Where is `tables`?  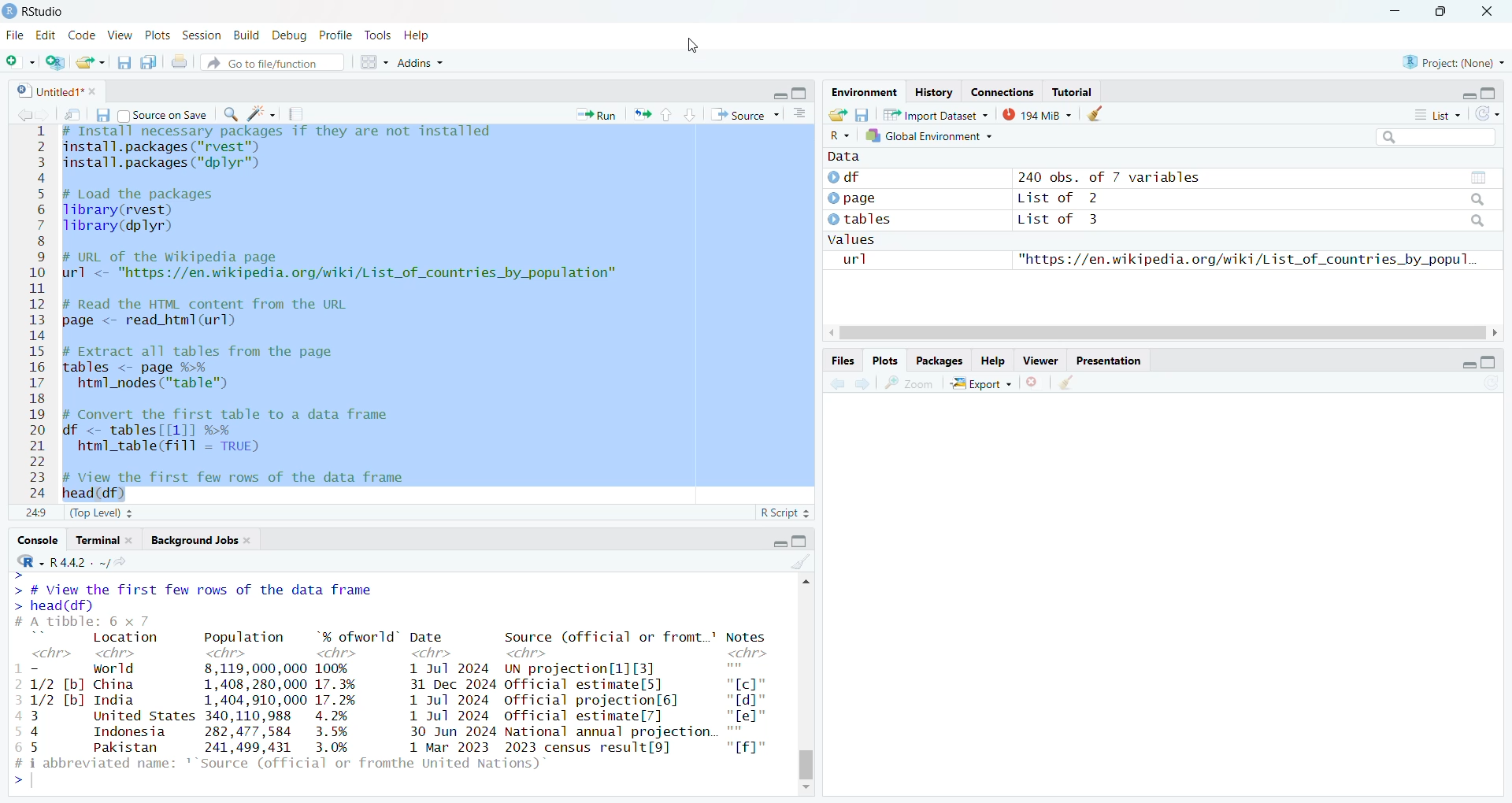
tables is located at coordinates (1478, 178).